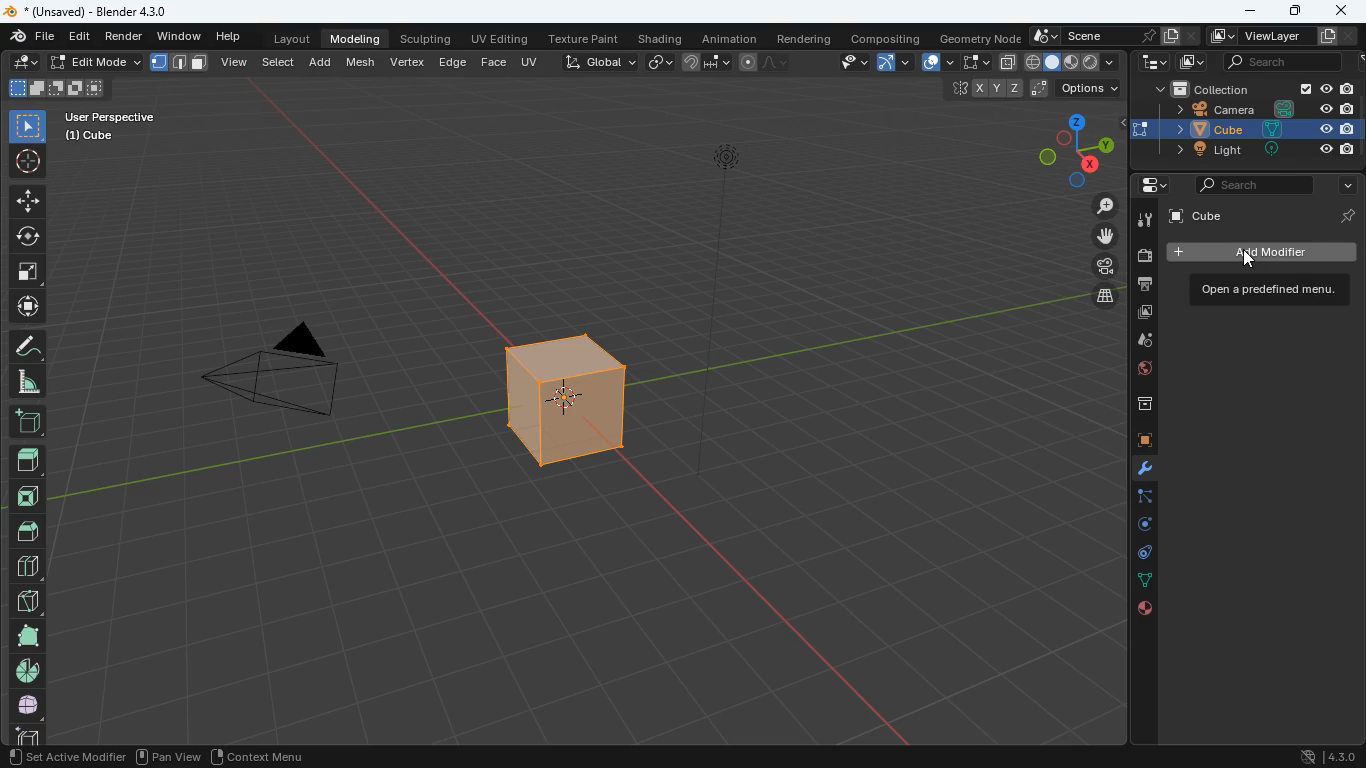 The width and height of the screenshot is (1366, 768). What do you see at coordinates (361, 38) in the screenshot?
I see `modeling` at bounding box center [361, 38].